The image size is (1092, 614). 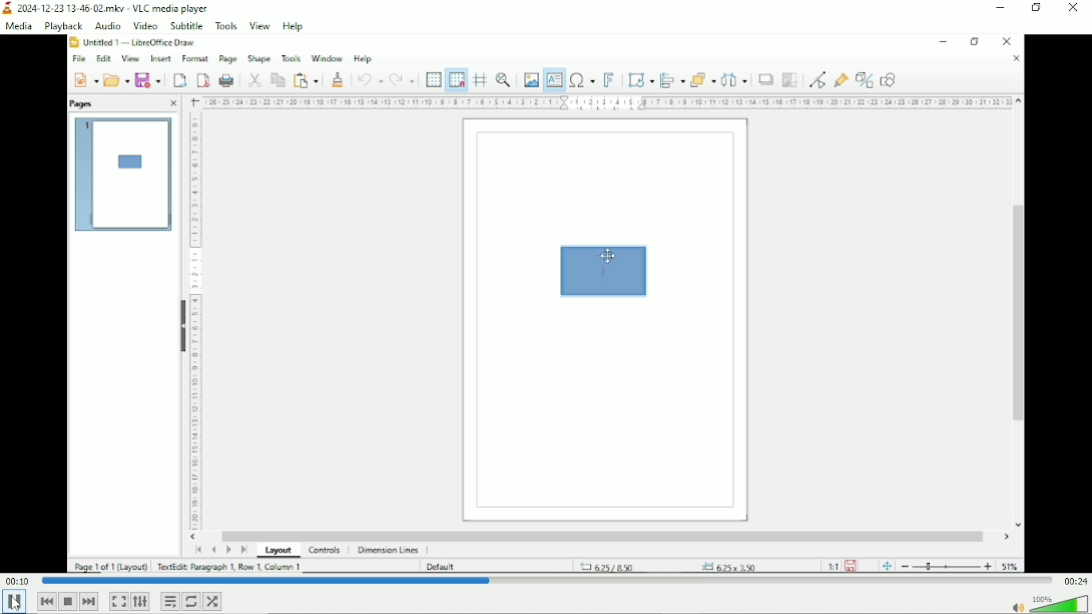 What do you see at coordinates (68, 602) in the screenshot?
I see `Stop playback` at bounding box center [68, 602].